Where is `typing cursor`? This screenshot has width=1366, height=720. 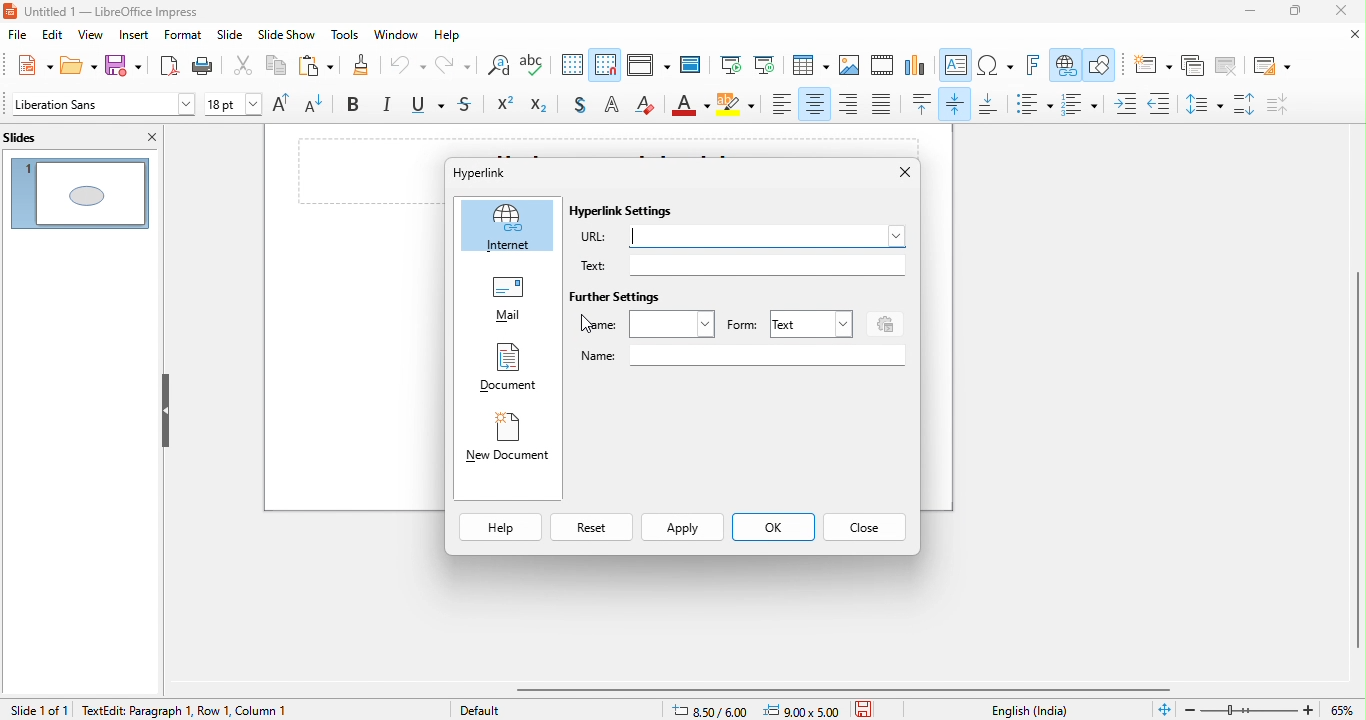
typing cursor is located at coordinates (635, 236).